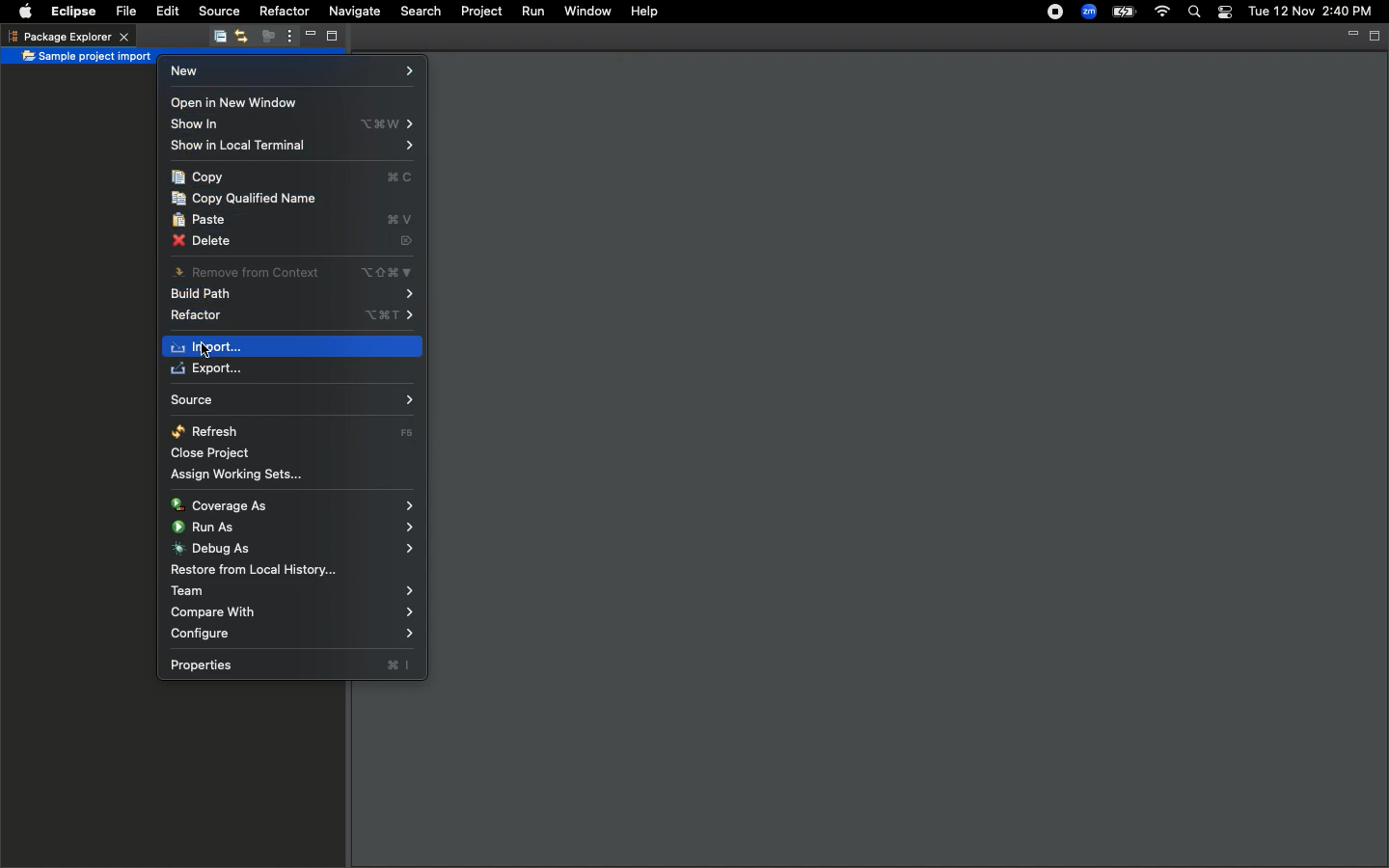 Image resolution: width=1389 pixels, height=868 pixels. I want to click on Package explorer, so click(68, 36).